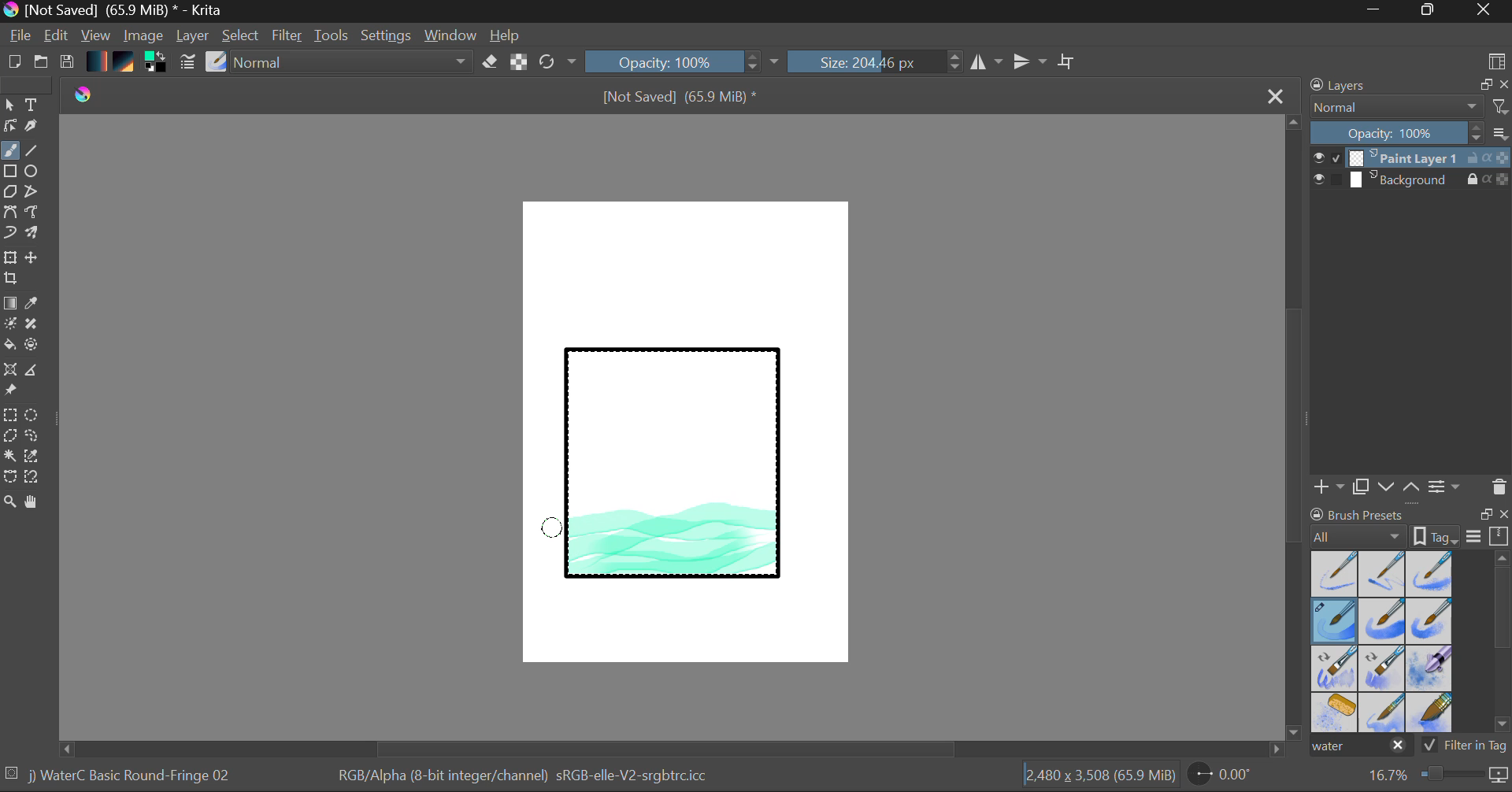 This screenshot has height=792, width=1512. What do you see at coordinates (33, 235) in the screenshot?
I see `Multibrush Tool` at bounding box center [33, 235].